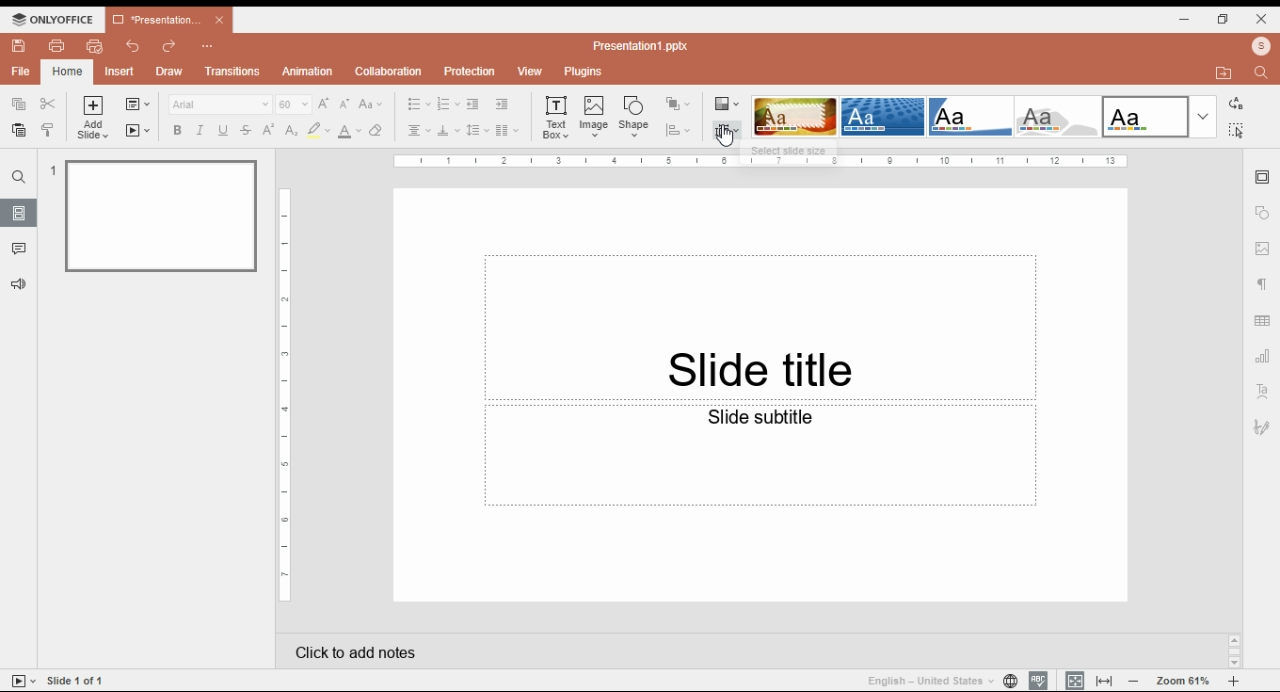 The width and height of the screenshot is (1280, 692). Describe the element at coordinates (198, 130) in the screenshot. I see `italics` at that location.